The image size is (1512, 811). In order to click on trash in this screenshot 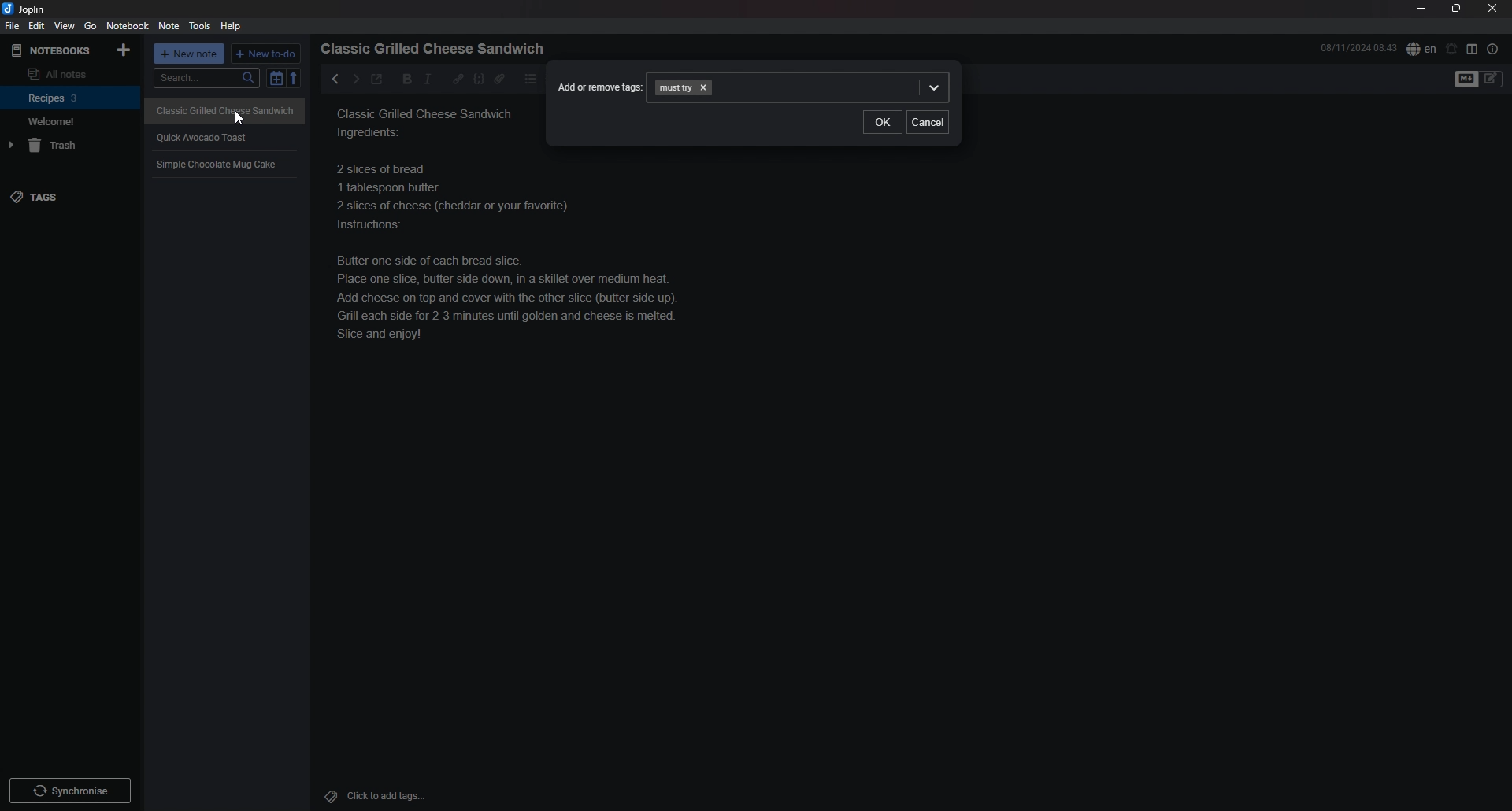, I will do `click(72, 146)`.